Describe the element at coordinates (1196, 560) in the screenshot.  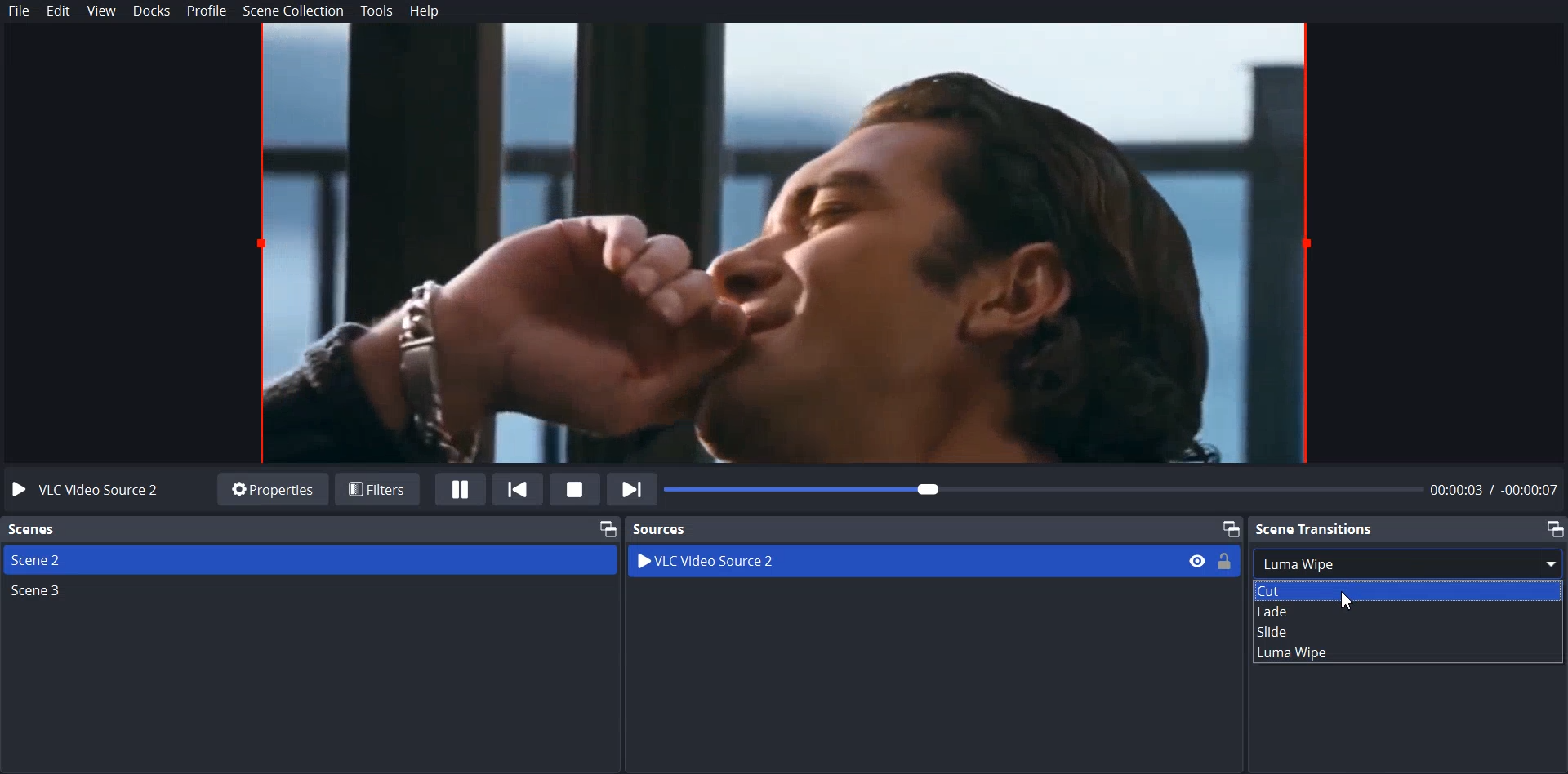
I see `Eye` at that location.